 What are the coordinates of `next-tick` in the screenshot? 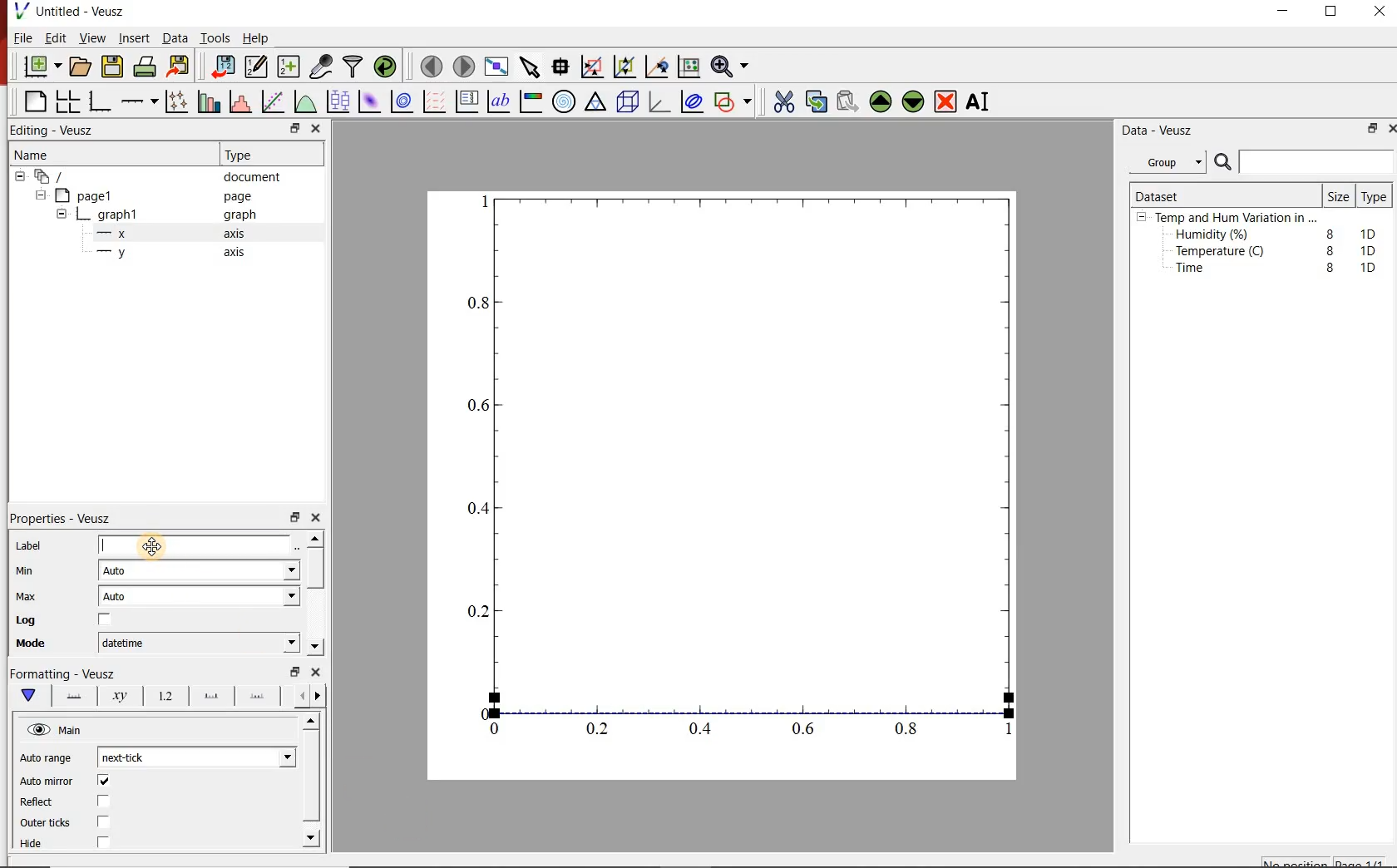 It's located at (136, 757).